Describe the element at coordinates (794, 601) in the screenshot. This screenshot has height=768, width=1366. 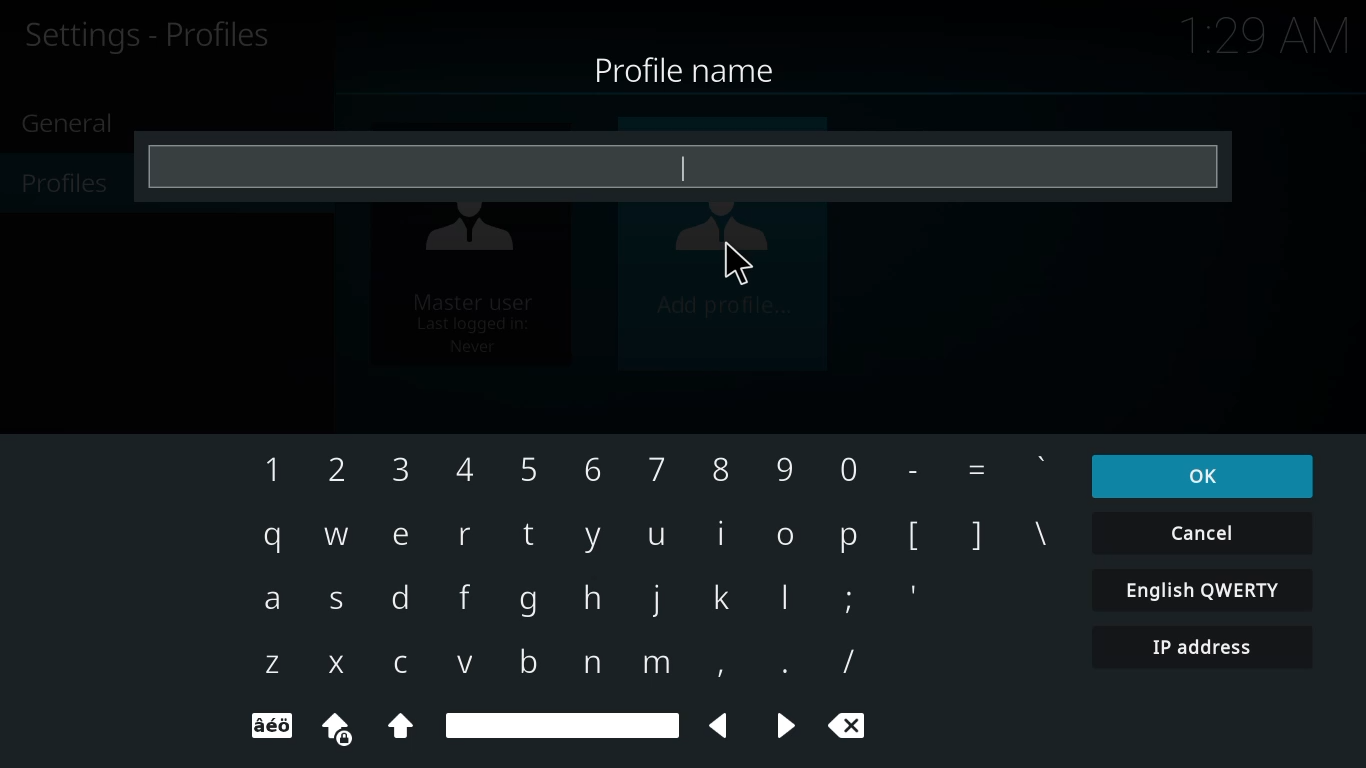
I see `l` at that location.